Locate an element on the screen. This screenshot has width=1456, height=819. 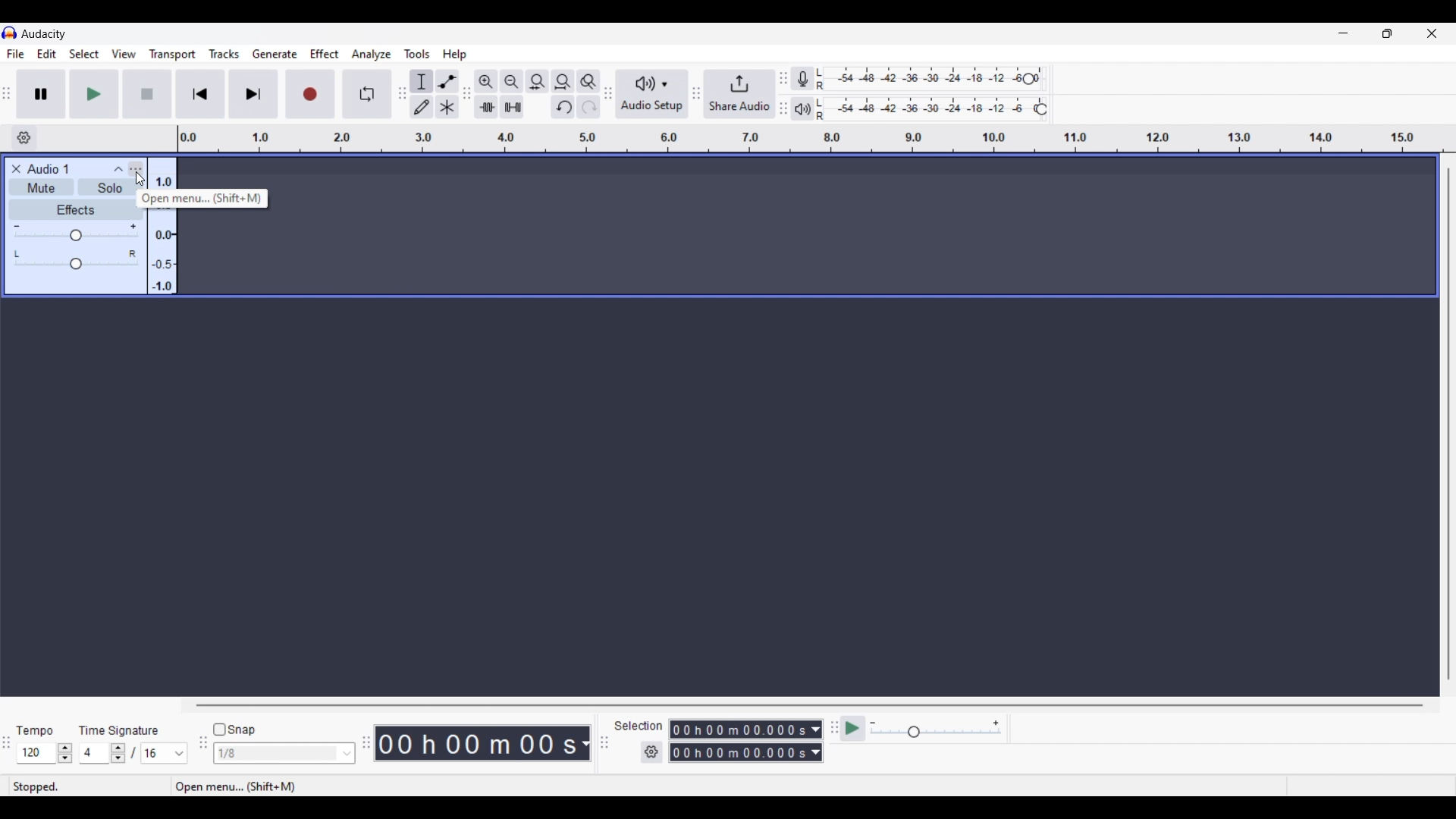
Decrease playback speed to minimum is located at coordinates (873, 723).